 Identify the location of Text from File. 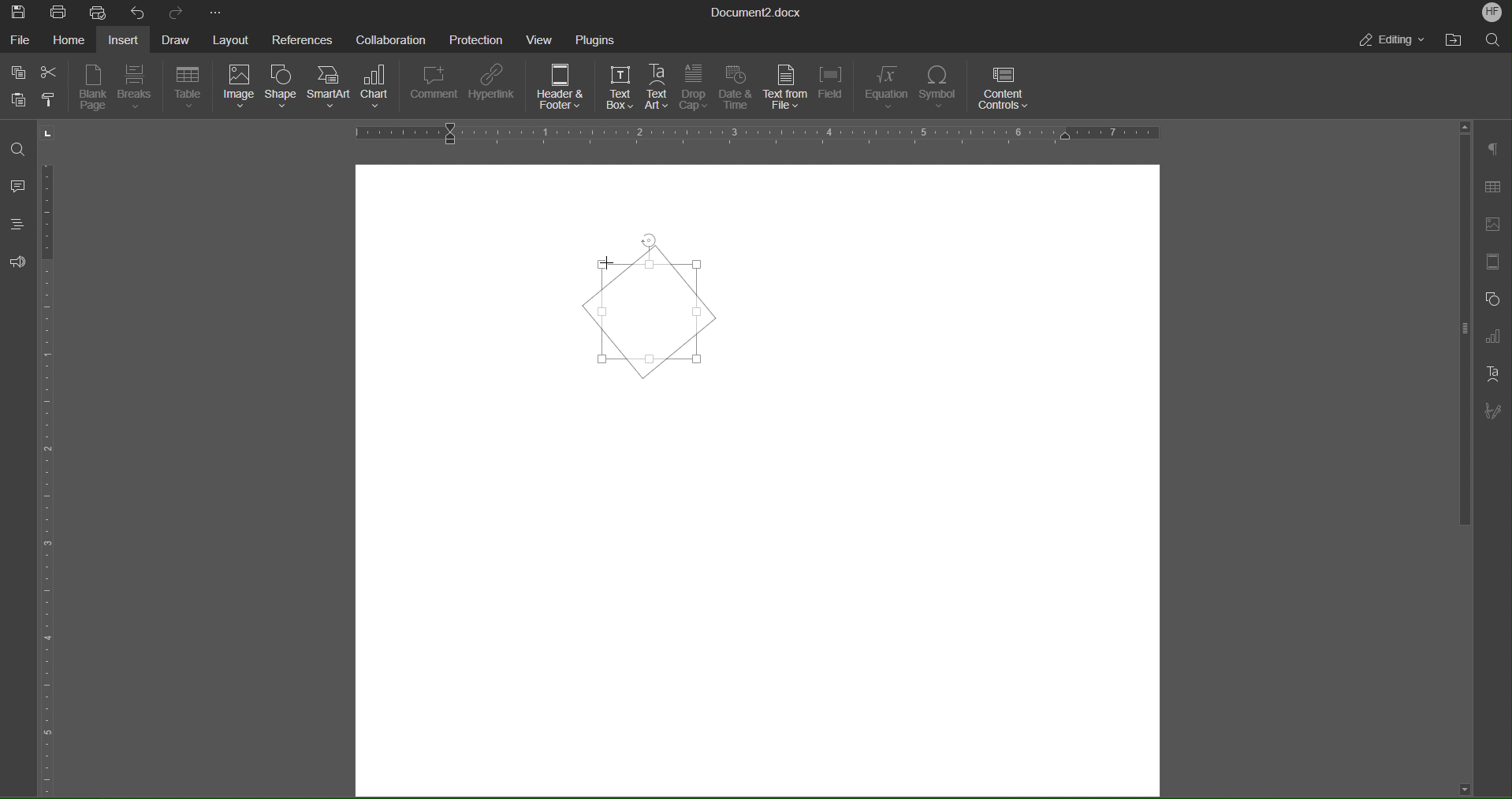
(784, 87).